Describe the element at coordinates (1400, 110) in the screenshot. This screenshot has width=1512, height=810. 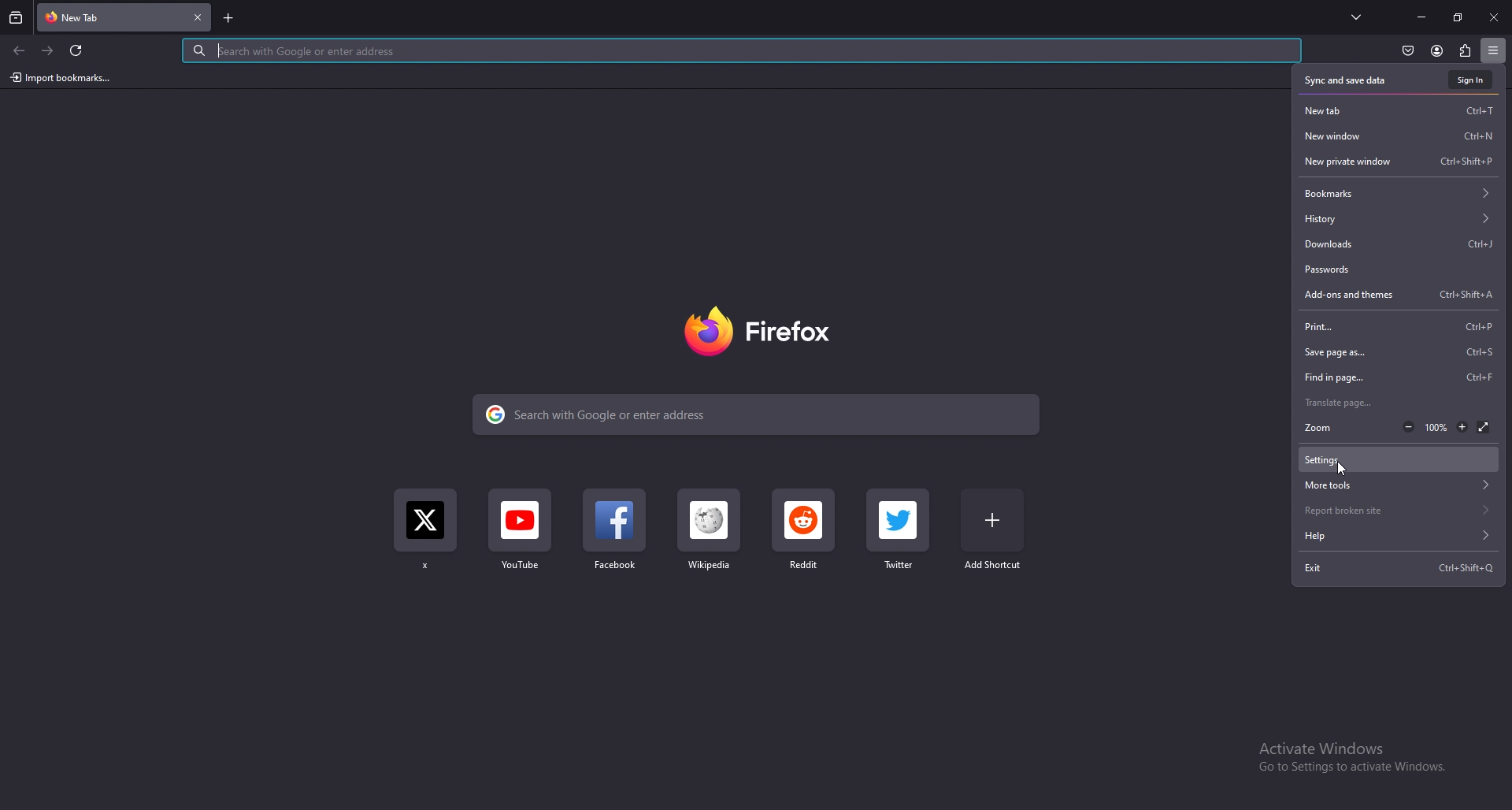
I see `new tab` at that location.